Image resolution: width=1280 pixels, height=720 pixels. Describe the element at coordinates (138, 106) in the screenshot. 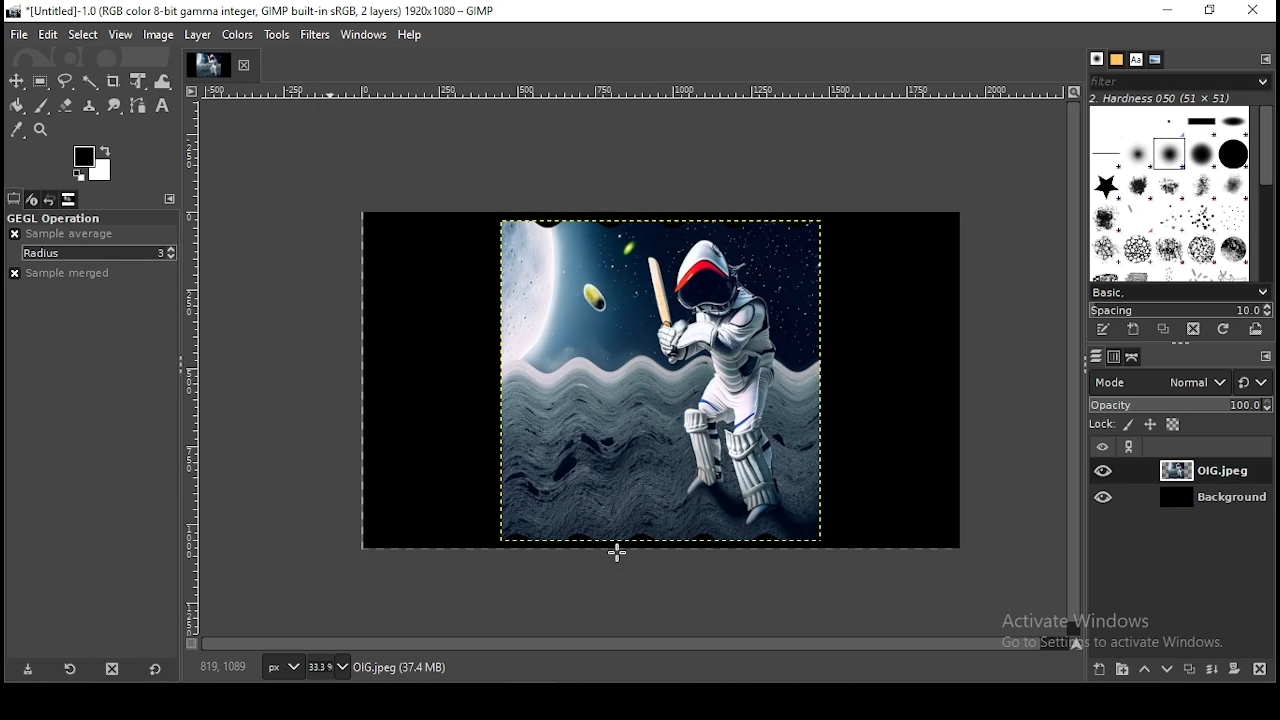

I see `paths tool` at that location.